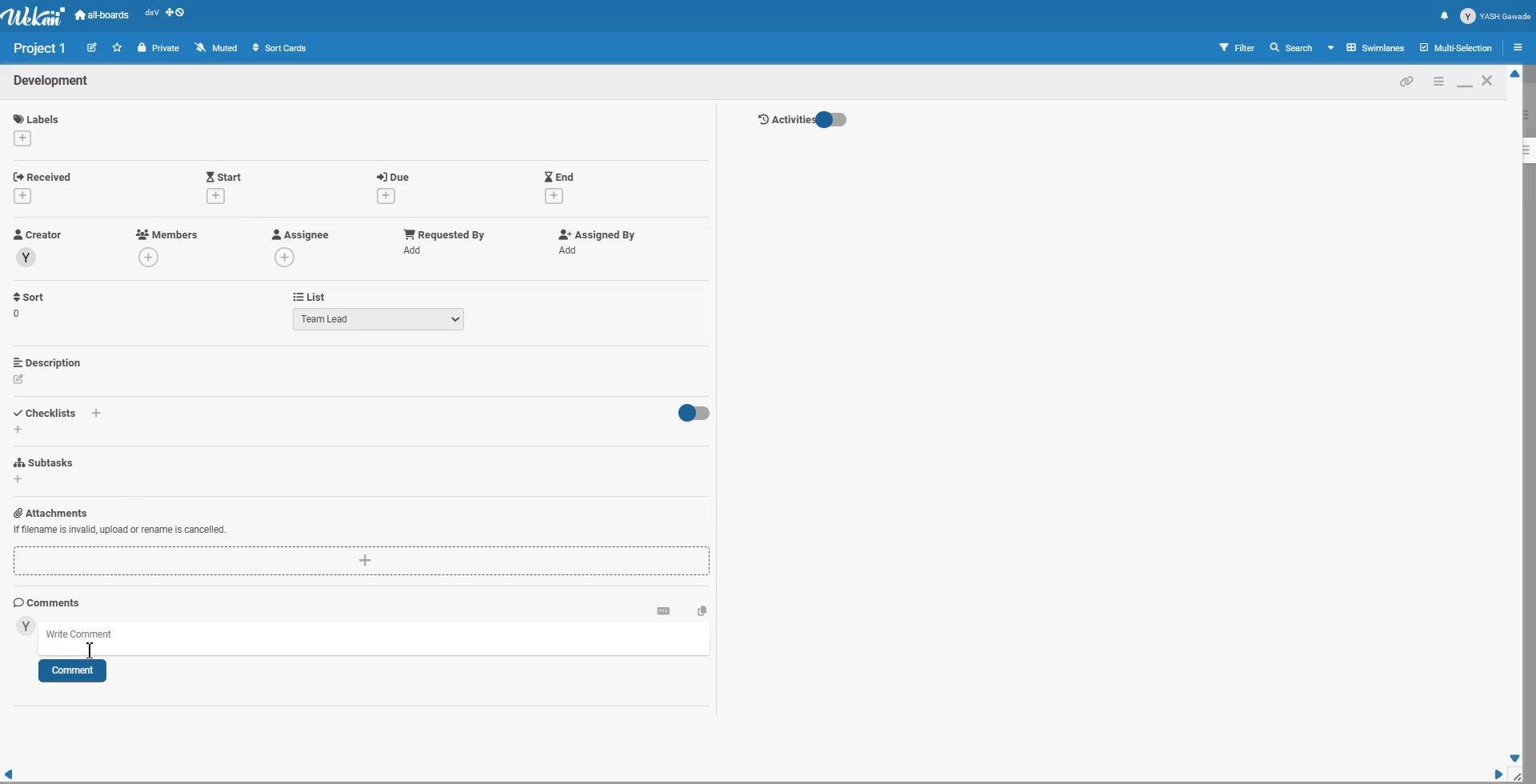  Describe the element at coordinates (118, 47) in the screenshot. I see `Click to star this board` at that location.